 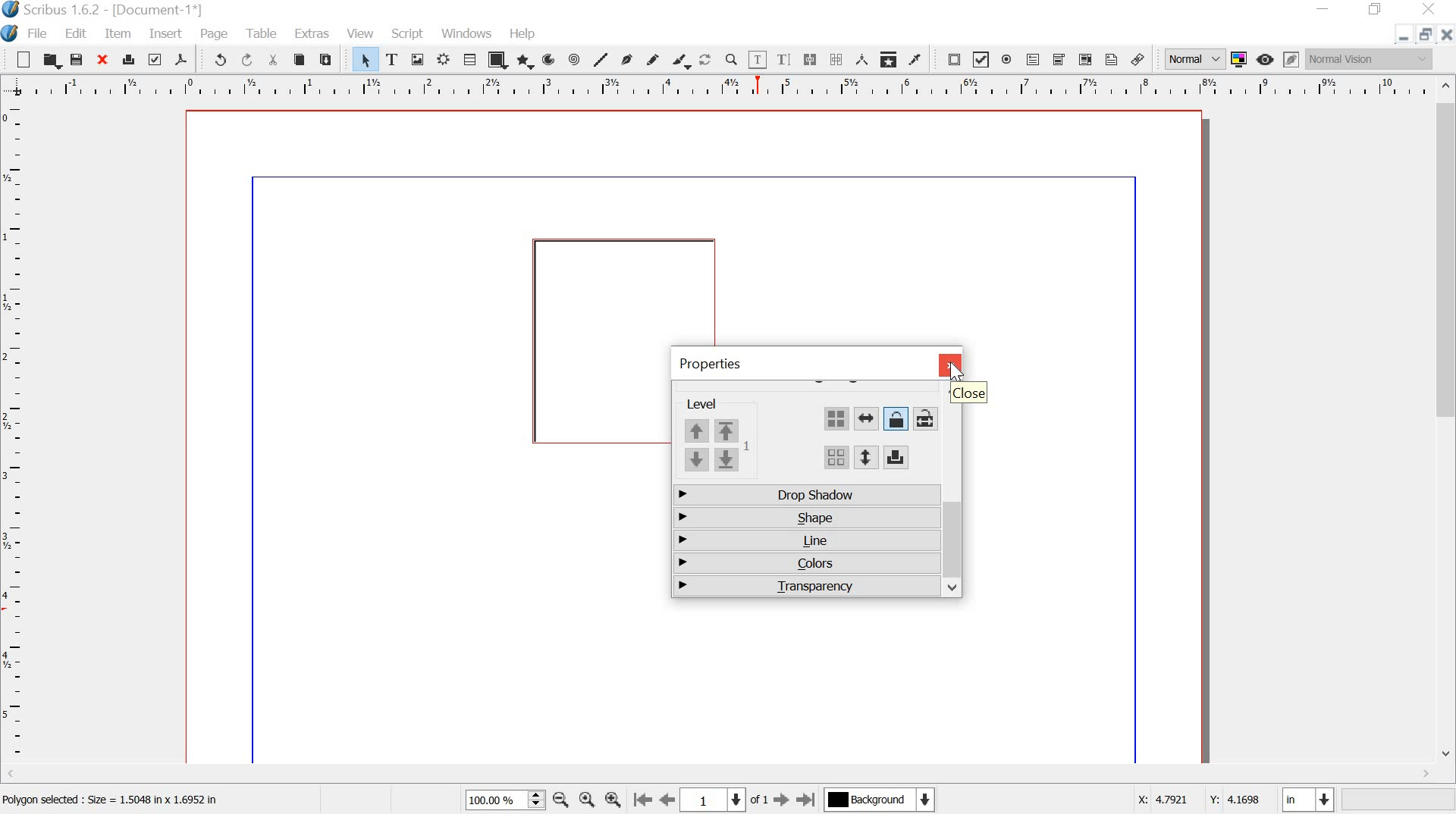 I want to click on save, so click(x=77, y=60).